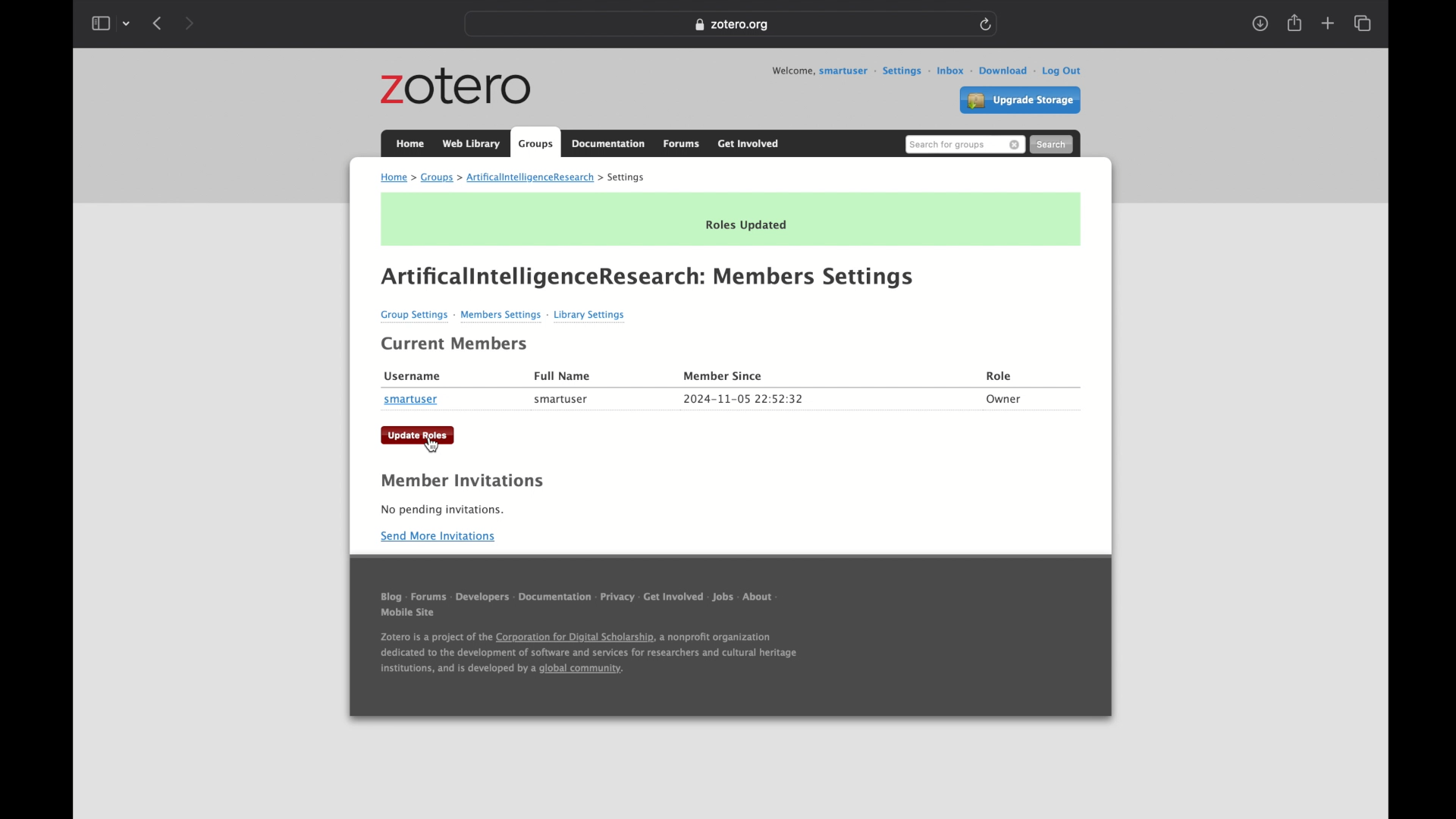 The height and width of the screenshot is (819, 1456). Describe the element at coordinates (432, 445) in the screenshot. I see `cursor` at that location.